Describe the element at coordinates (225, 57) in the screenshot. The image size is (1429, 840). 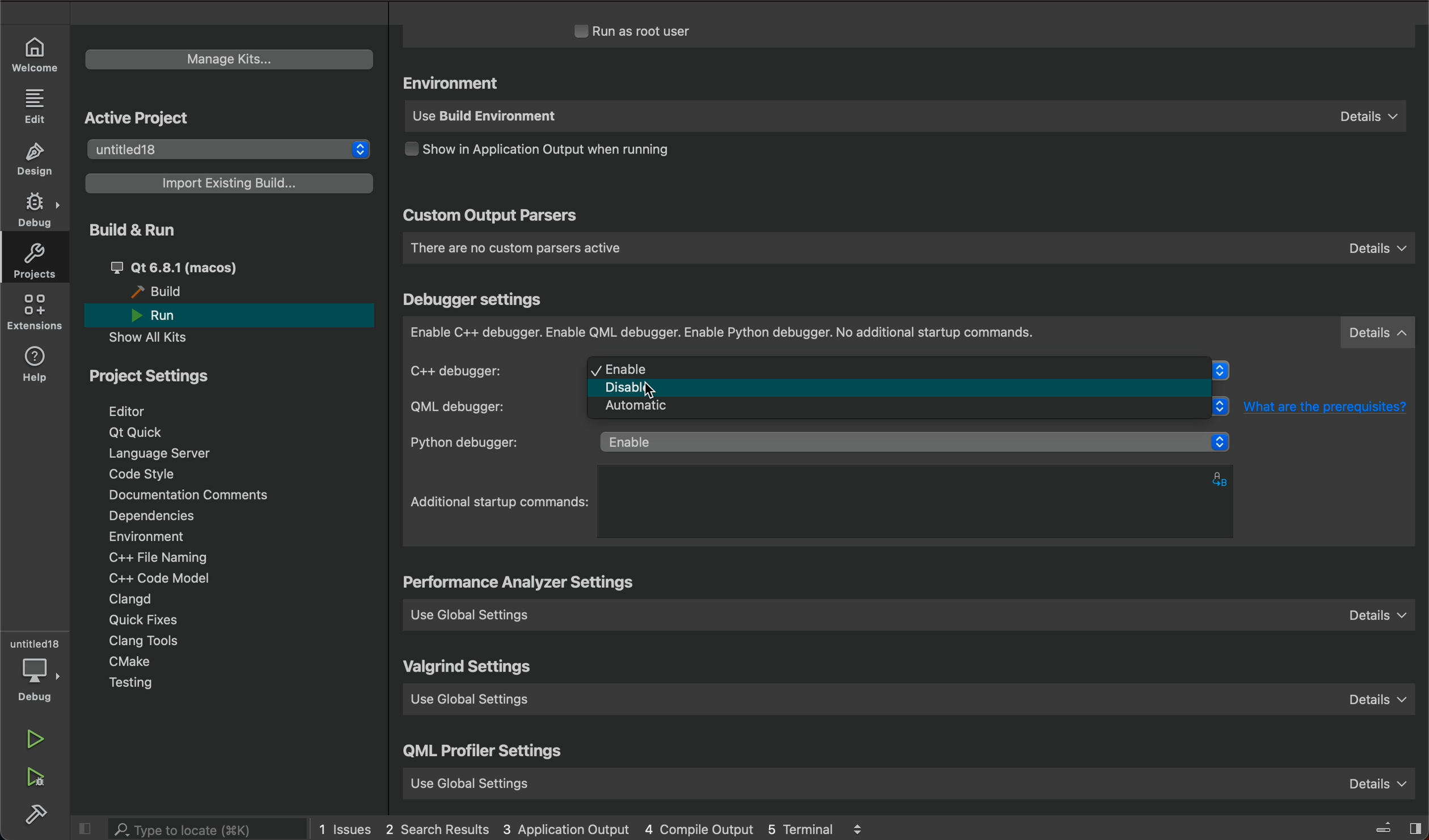
I see `manage kits` at that location.